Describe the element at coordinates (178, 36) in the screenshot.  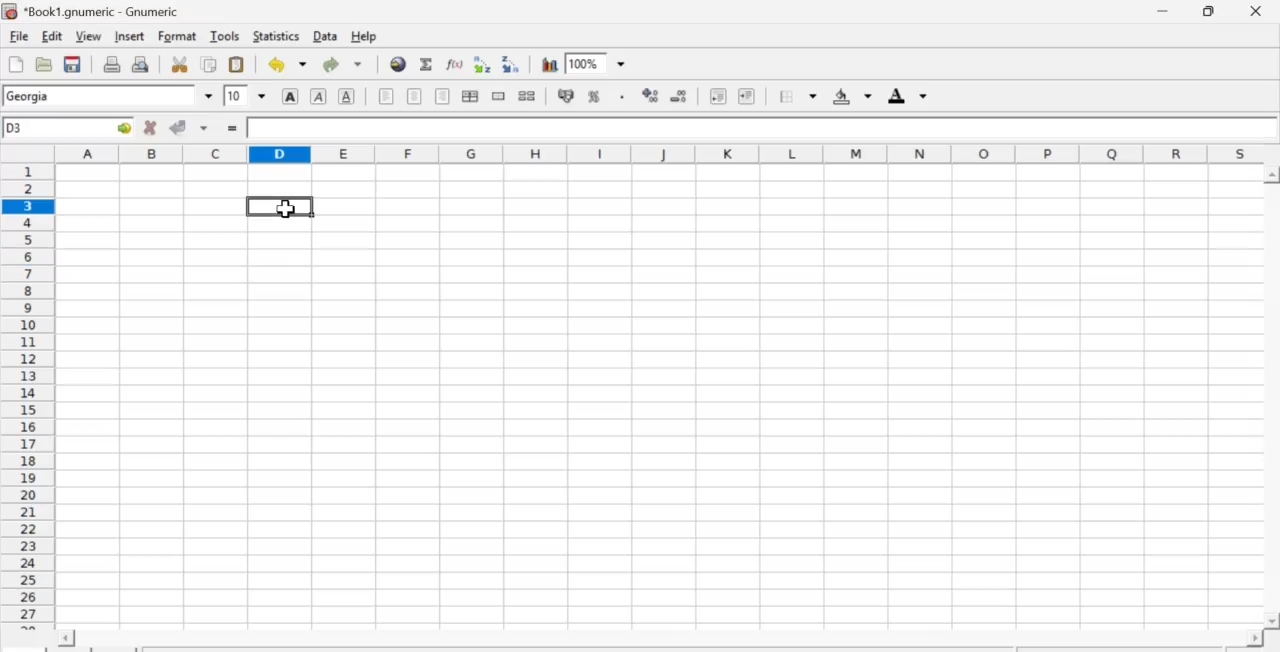
I see `Format` at that location.